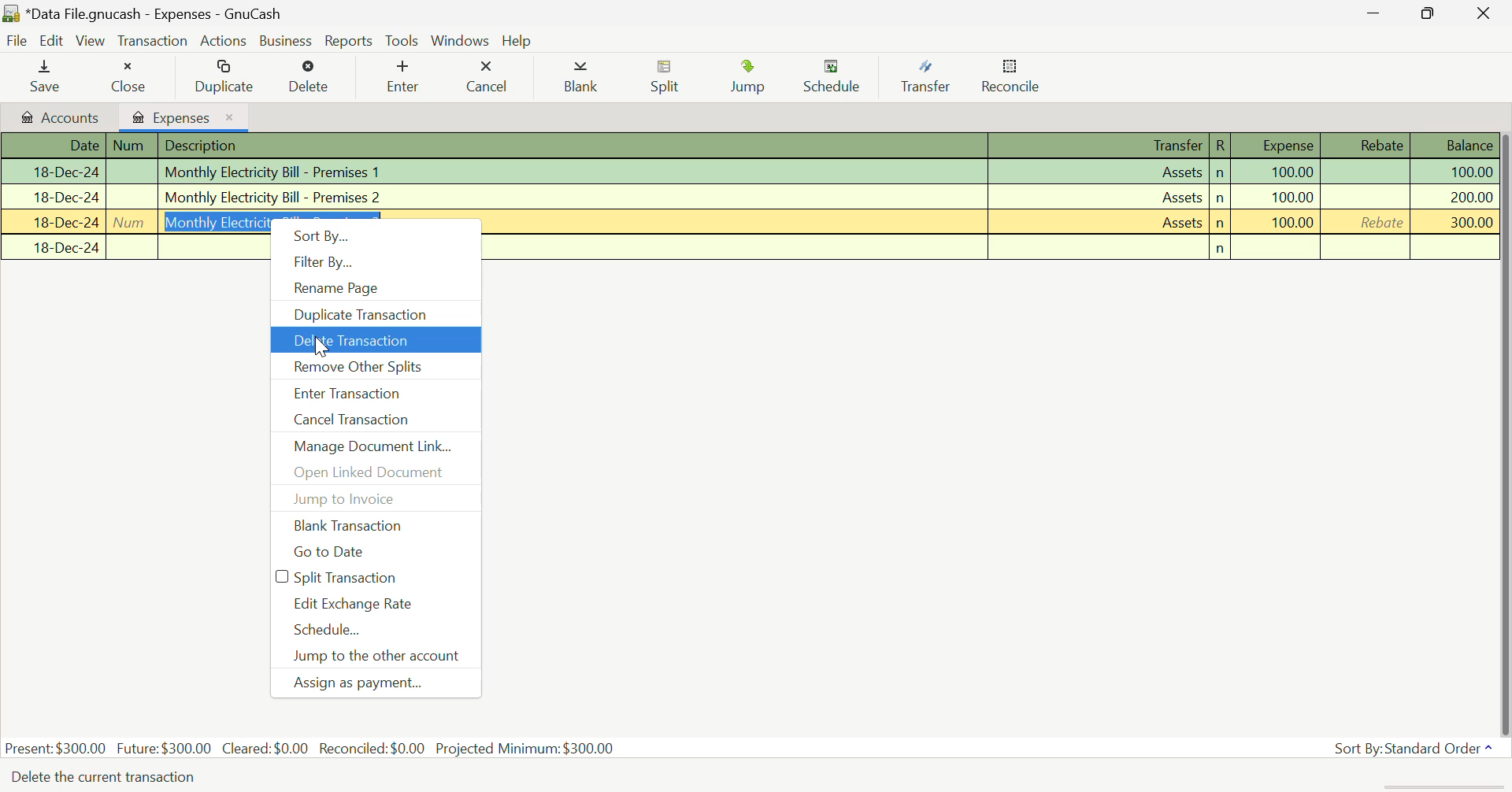 This screenshot has width=1512, height=792. What do you see at coordinates (375, 420) in the screenshot?
I see `Cancel Transaction` at bounding box center [375, 420].